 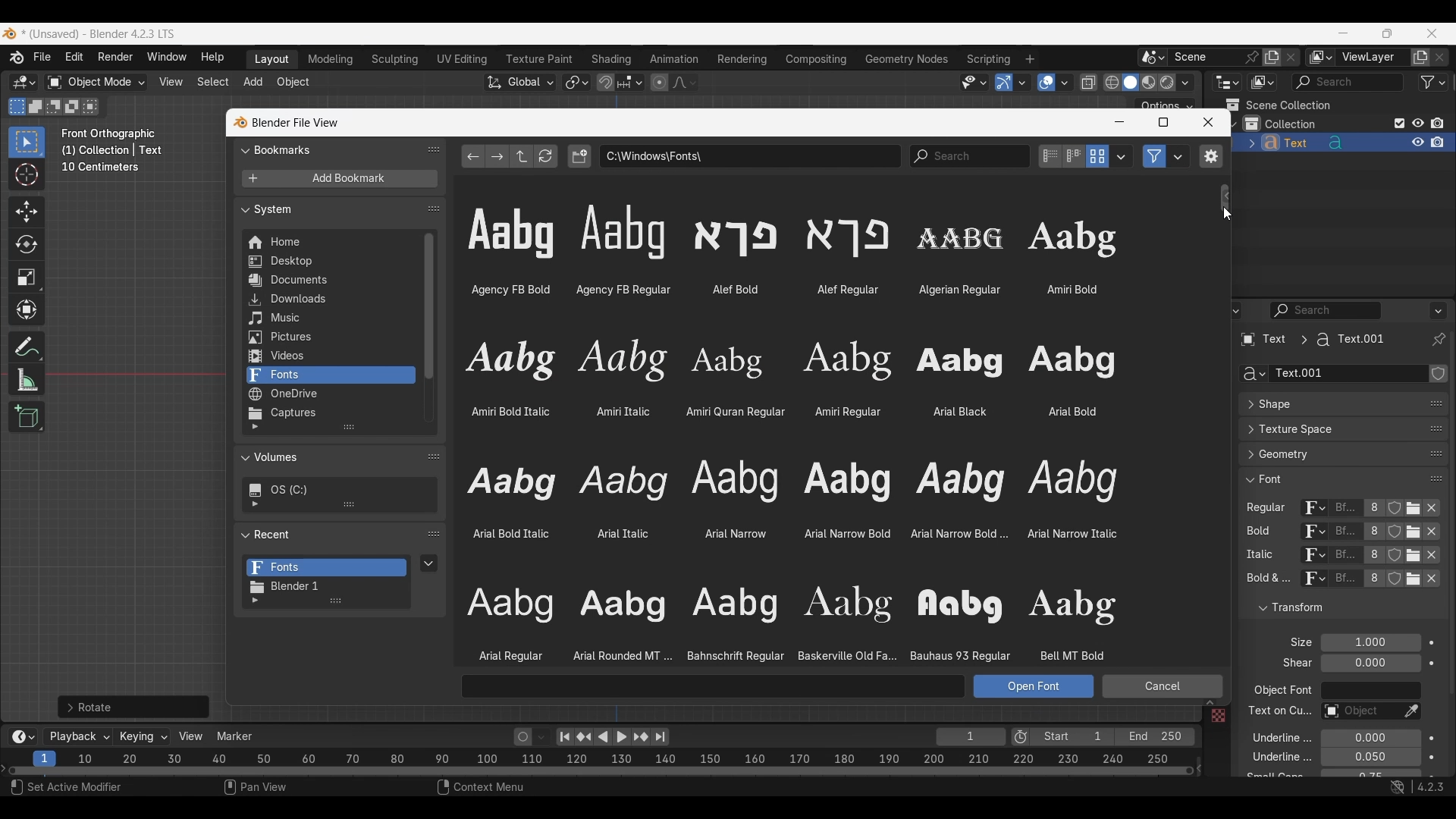 I want to click on Viewport shading, rendered, so click(x=1166, y=82).